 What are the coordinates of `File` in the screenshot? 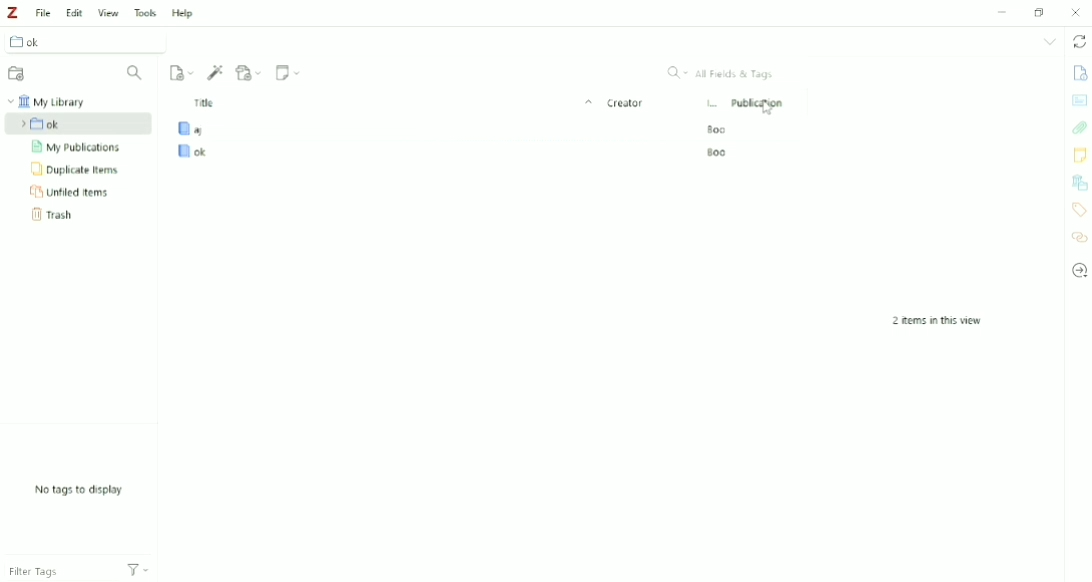 It's located at (43, 12).